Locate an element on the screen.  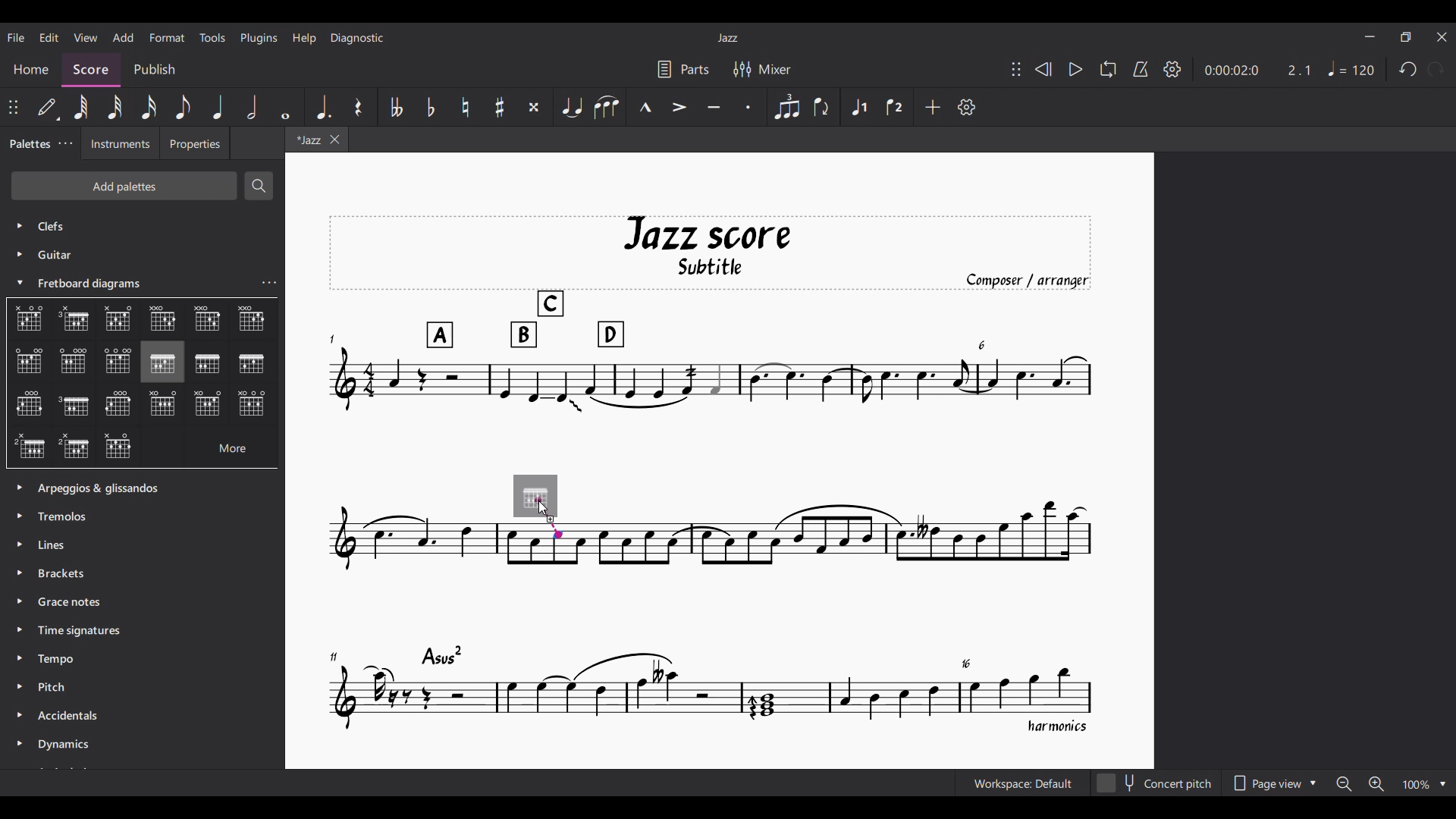
Chart 19 is located at coordinates (121, 447).